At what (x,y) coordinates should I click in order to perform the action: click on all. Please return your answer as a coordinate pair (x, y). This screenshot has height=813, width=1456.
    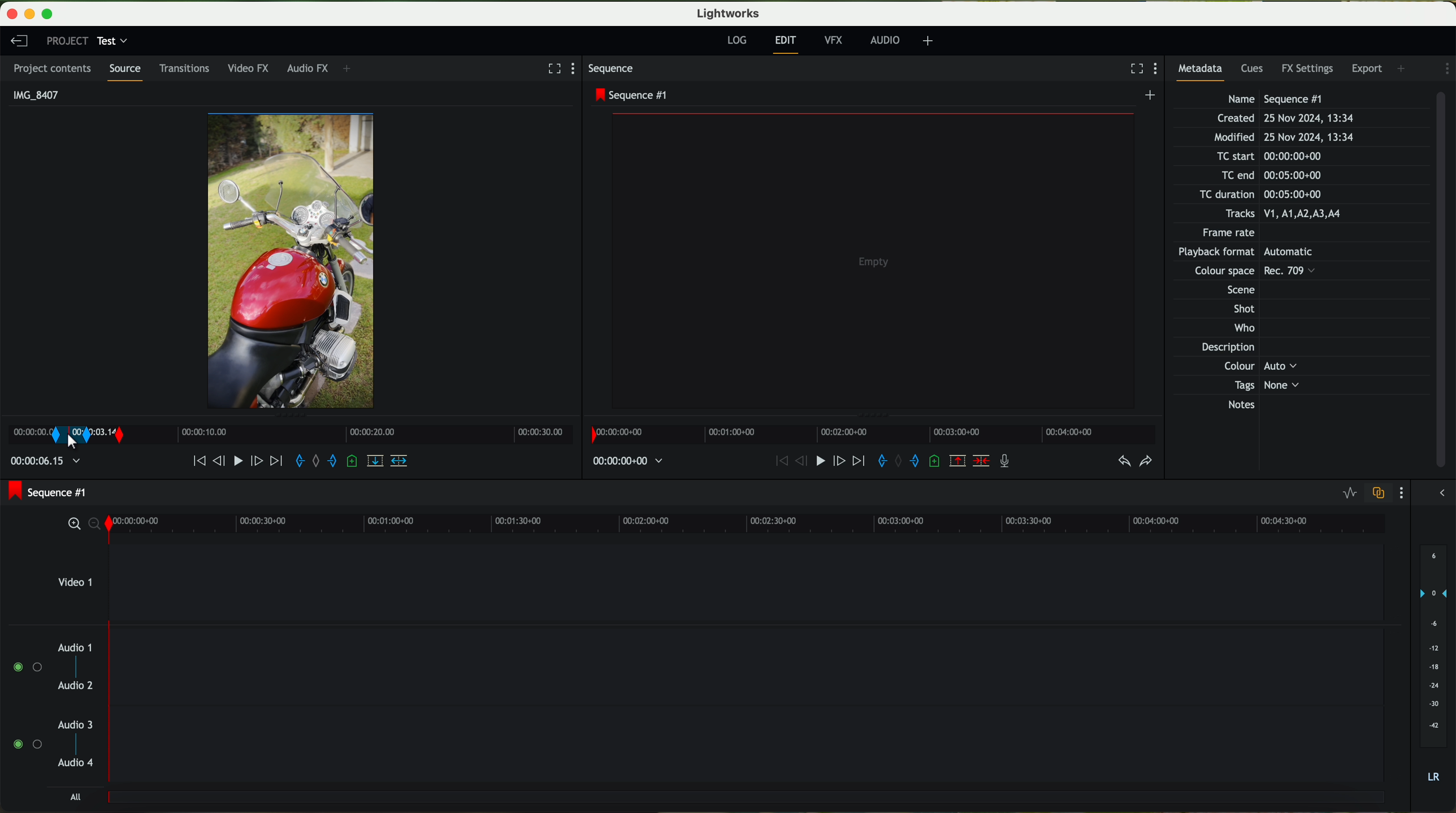
    Looking at the image, I should click on (77, 798).